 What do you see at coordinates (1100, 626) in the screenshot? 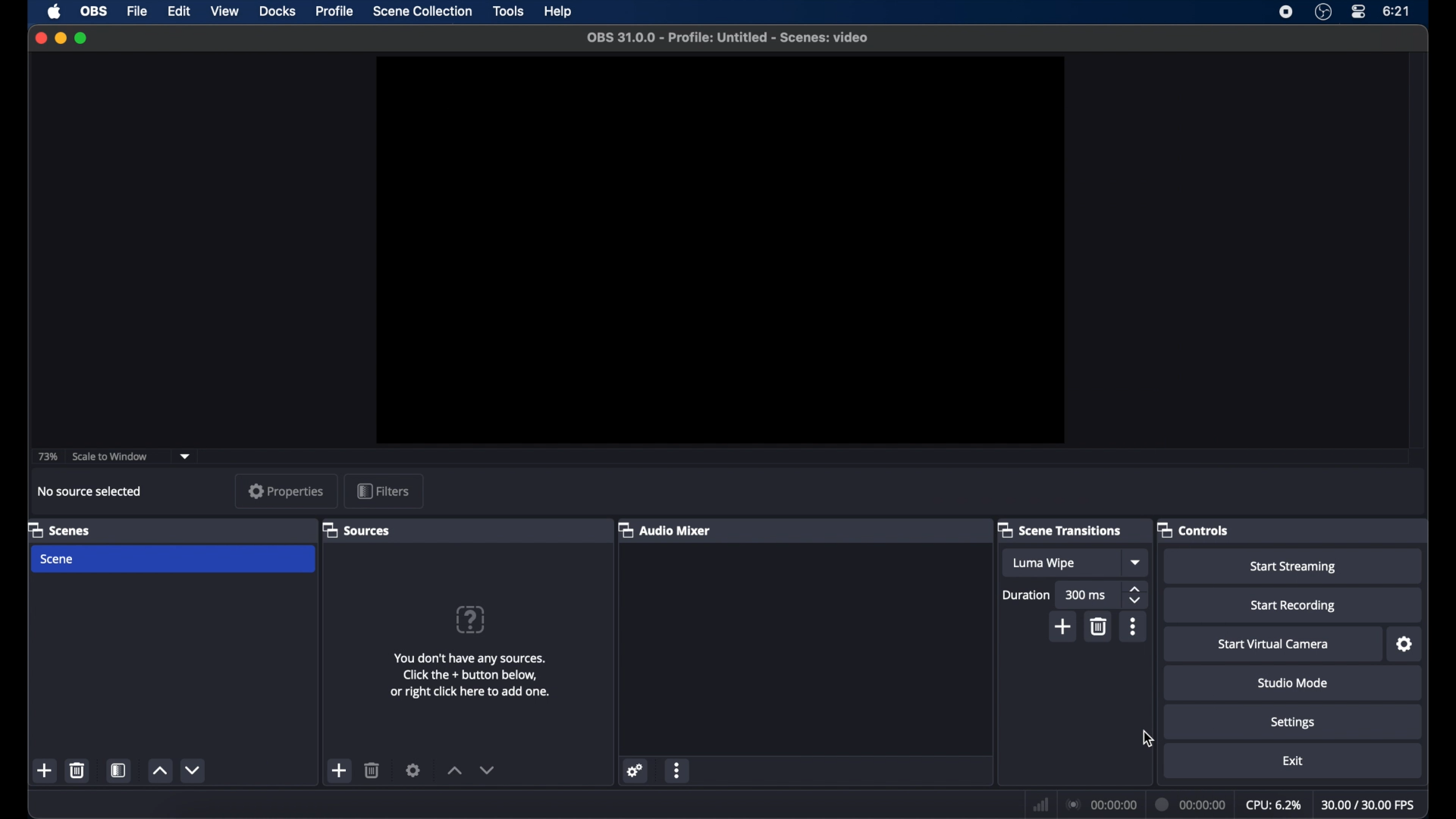
I see `delete` at bounding box center [1100, 626].